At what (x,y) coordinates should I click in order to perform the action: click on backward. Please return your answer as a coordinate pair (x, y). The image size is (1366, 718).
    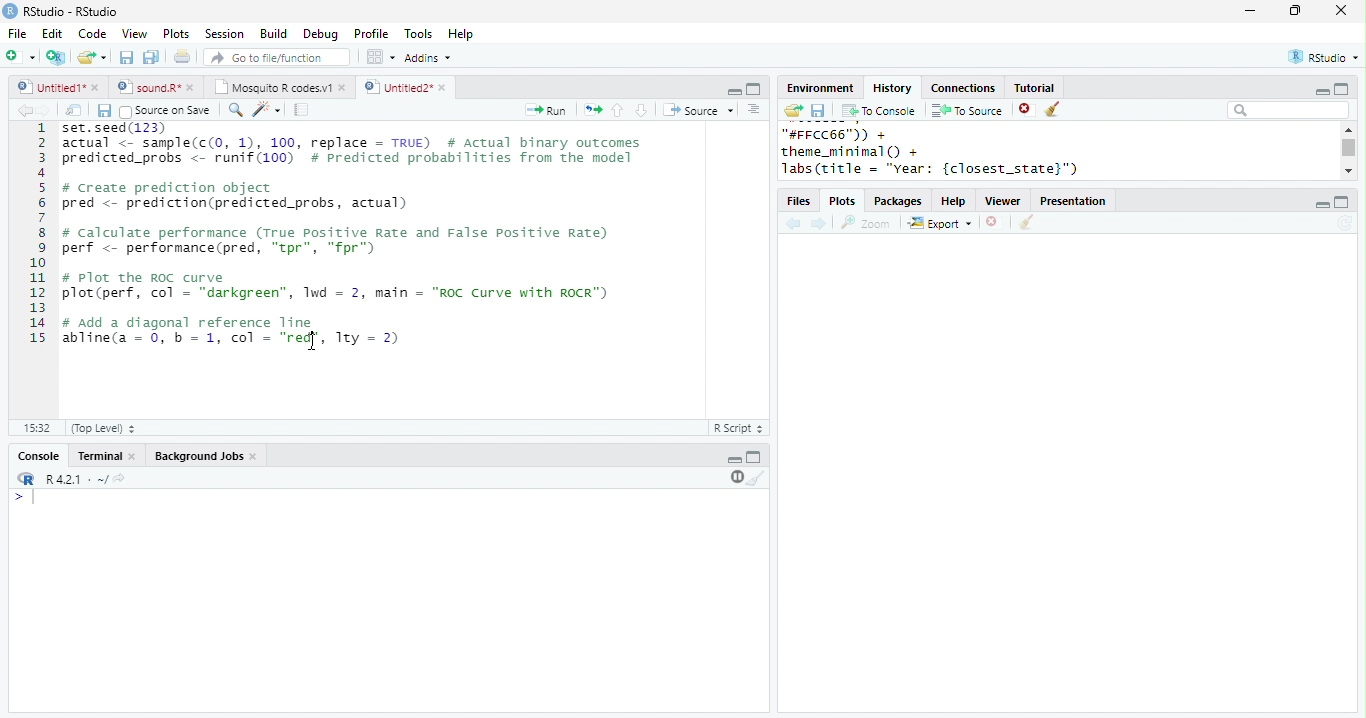
    Looking at the image, I should click on (24, 110).